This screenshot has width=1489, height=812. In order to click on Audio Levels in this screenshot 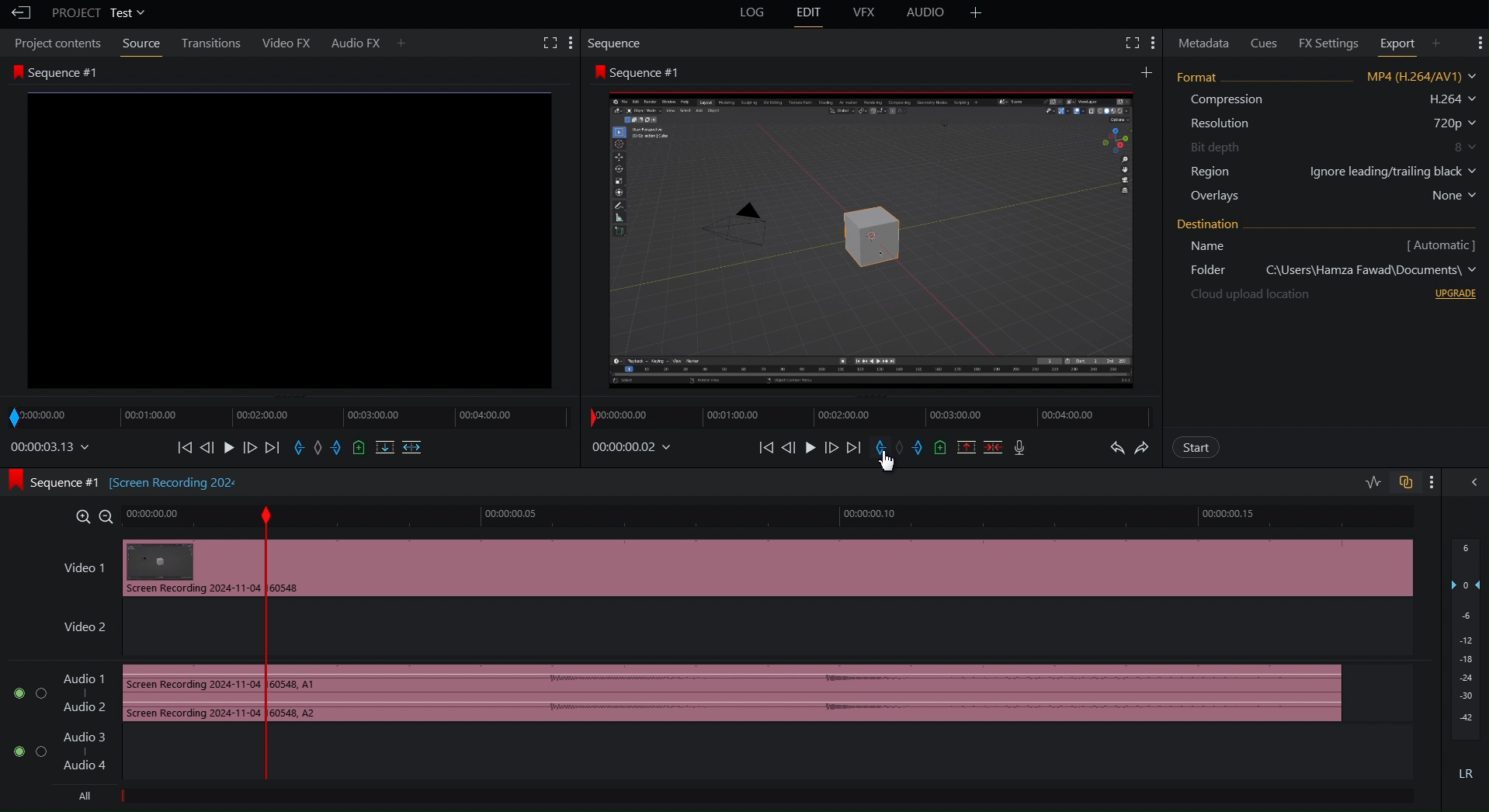, I will do `click(1463, 666)`.